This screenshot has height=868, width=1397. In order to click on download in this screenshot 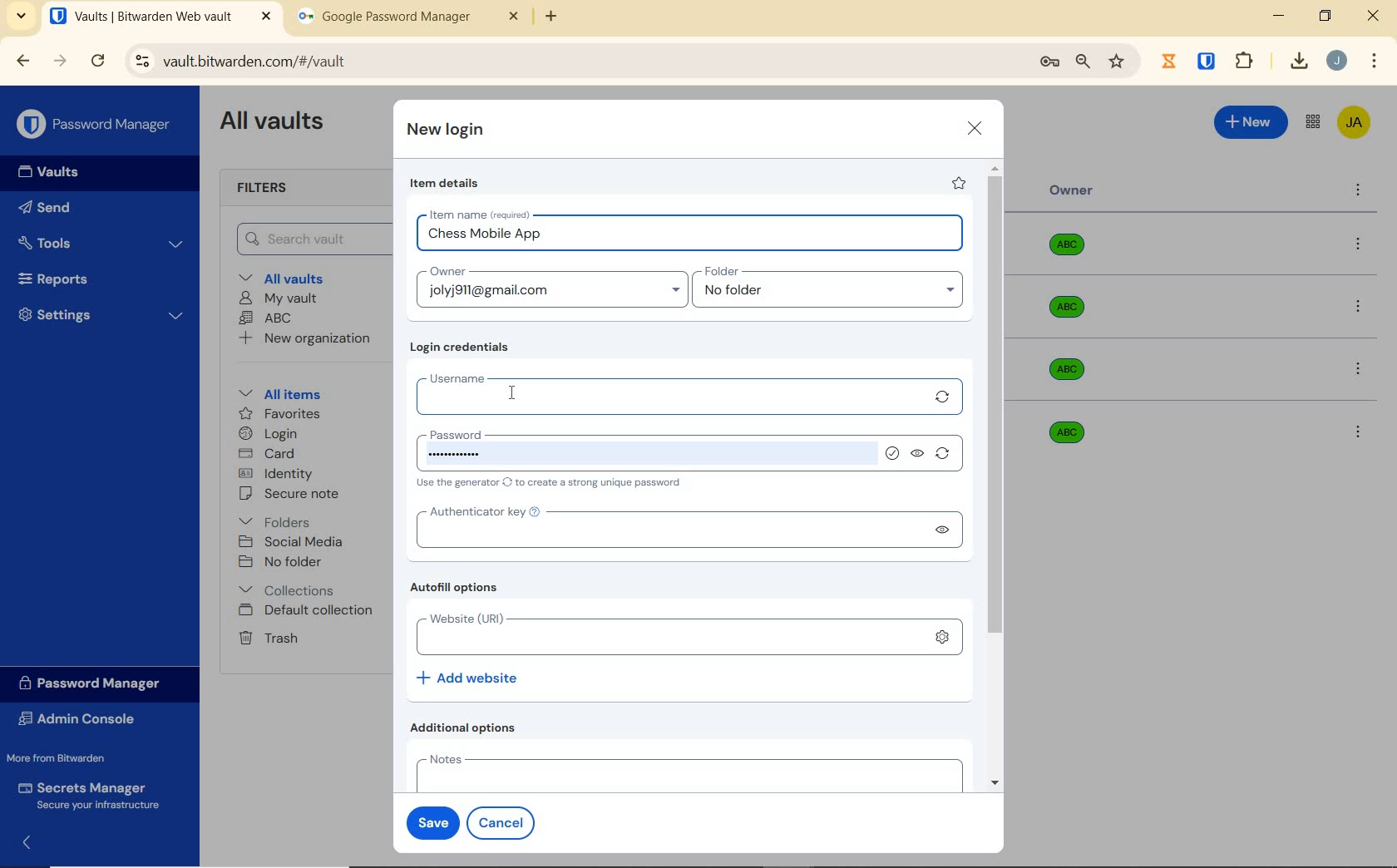, I will do `click(1298, 61)`.